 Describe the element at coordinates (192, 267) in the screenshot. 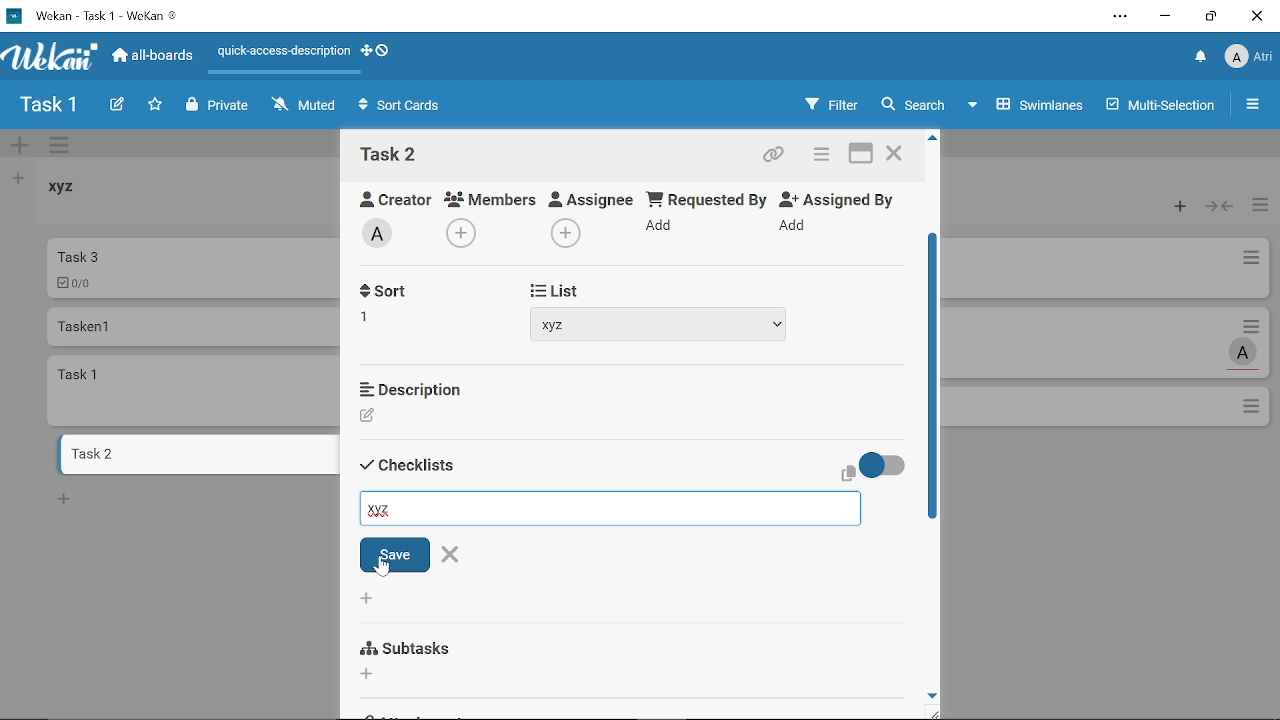

I see `Car` at that location.